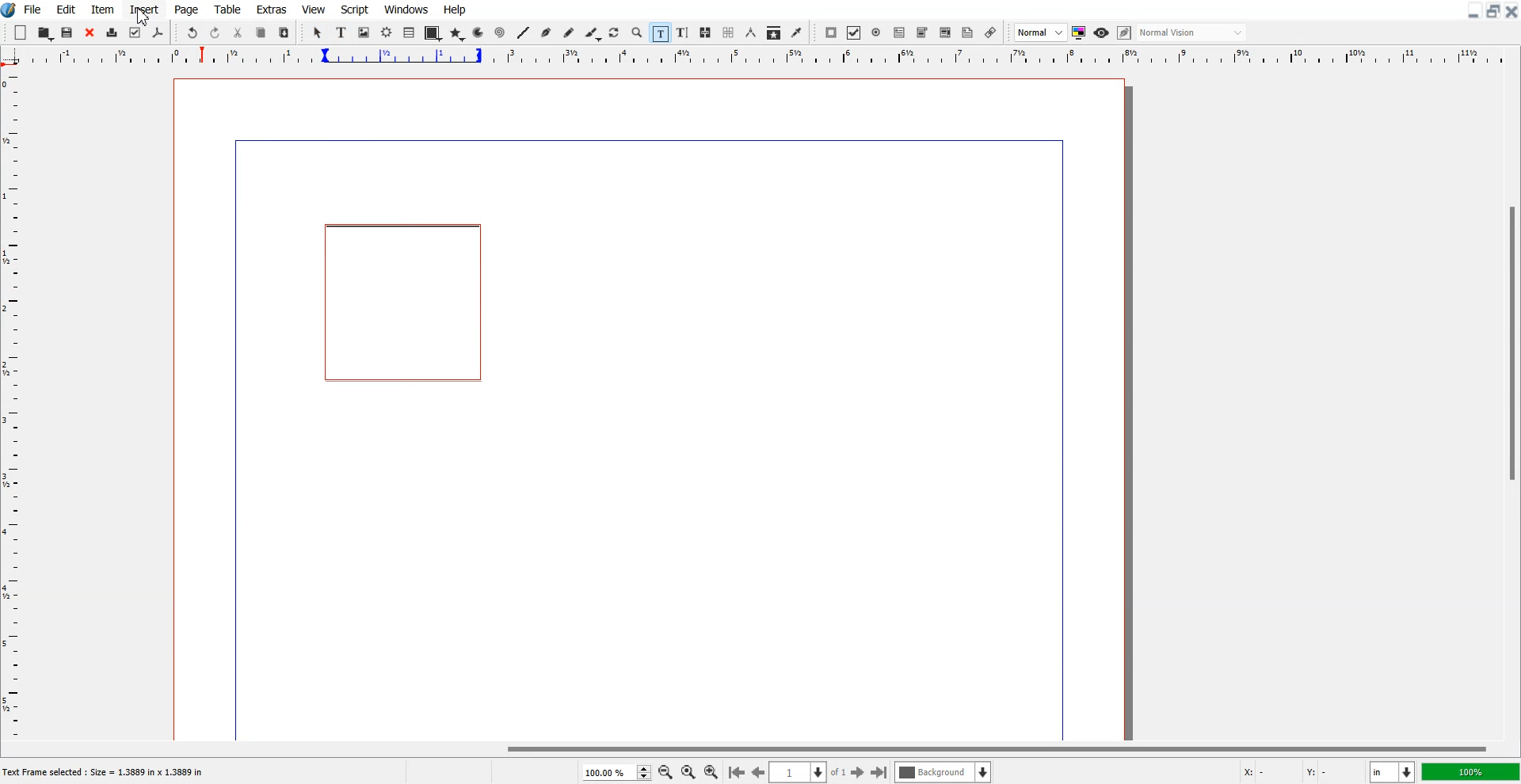 This screenshot has width=1521, height=784. I want to click on Render frame, so click(387, 32).